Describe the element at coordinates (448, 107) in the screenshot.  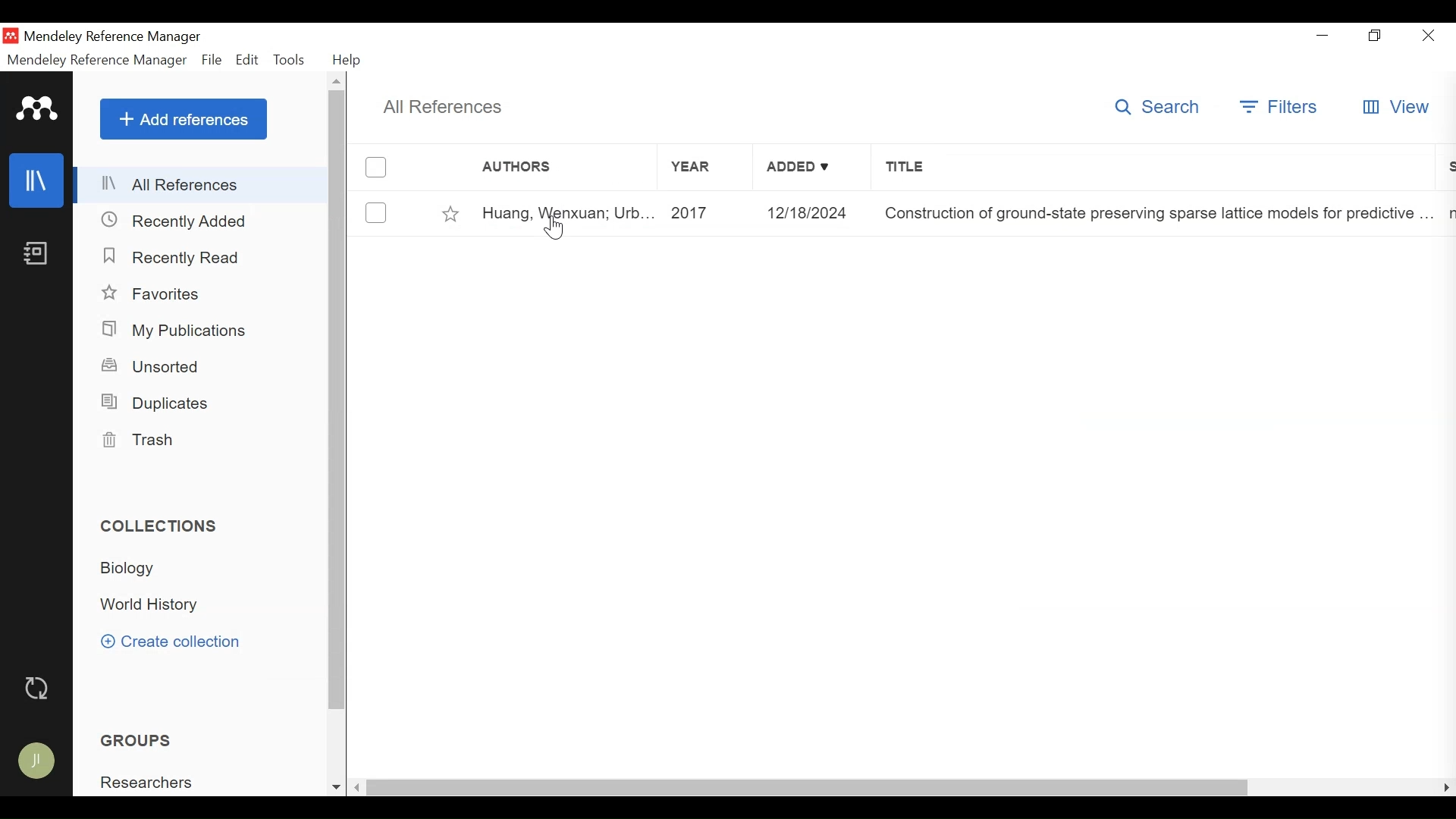
I see `All References` at that location.